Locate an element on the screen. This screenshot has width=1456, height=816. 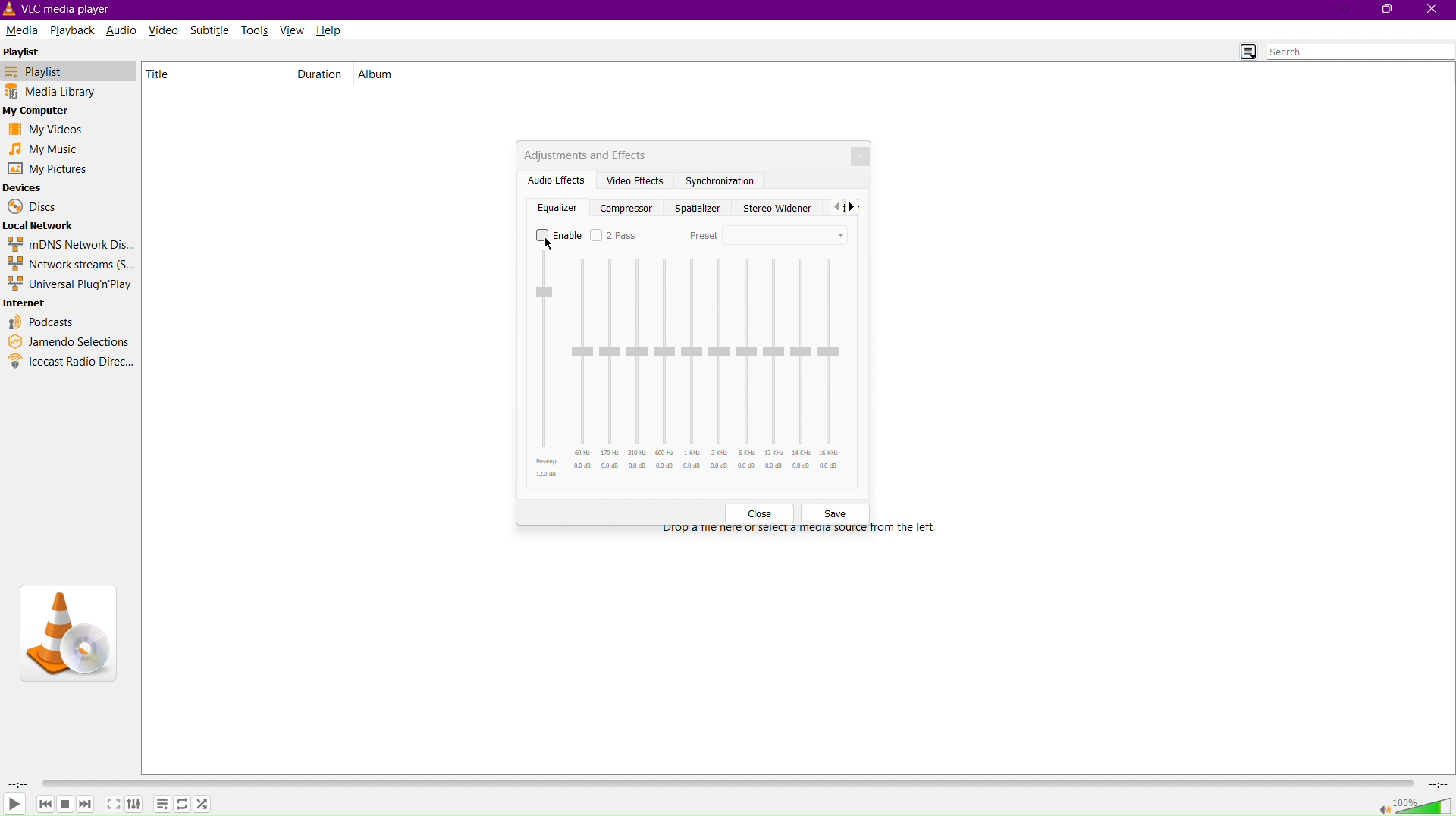
Internet is located at coordinates (32, 302).